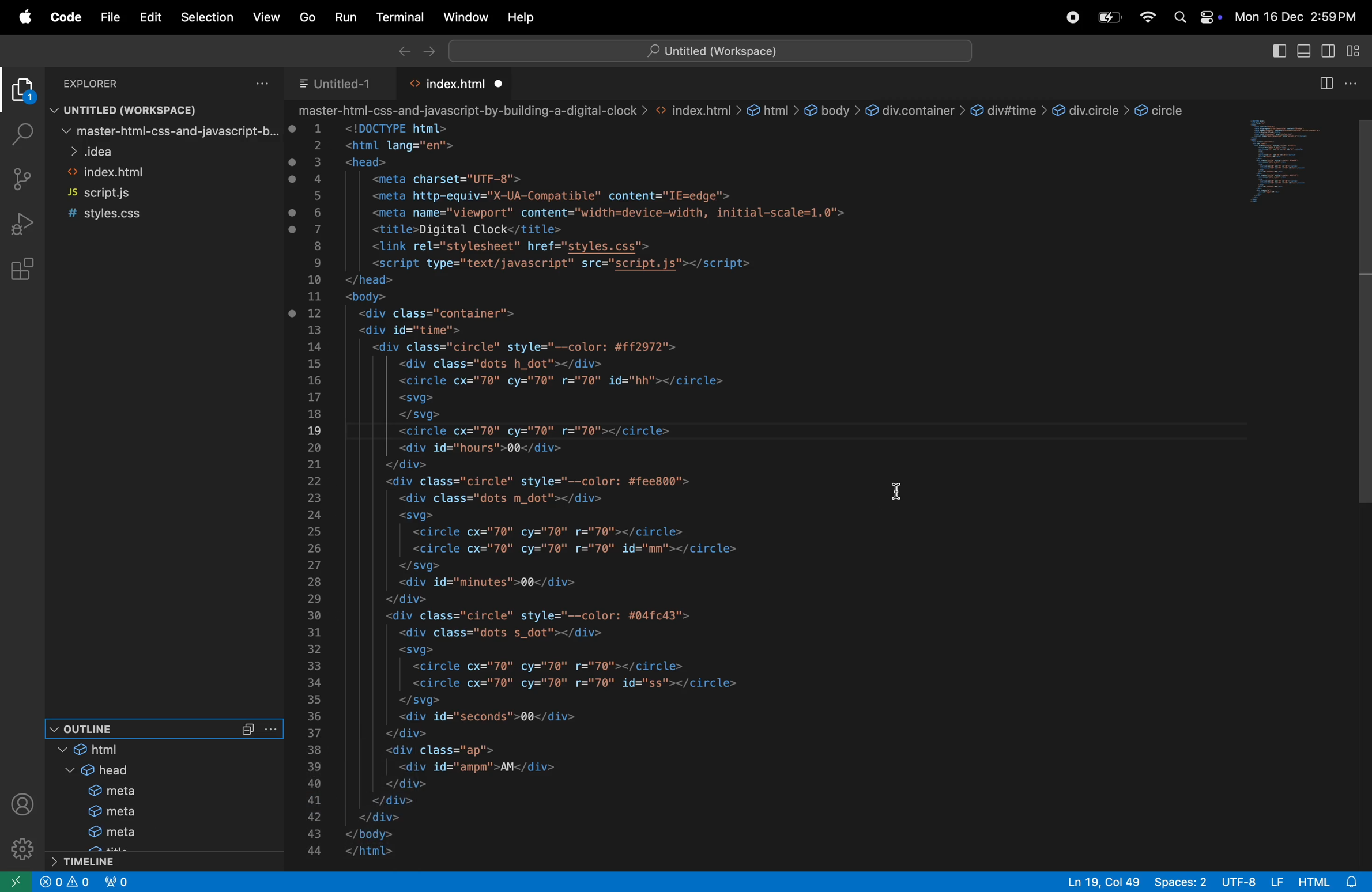 The image size is (1372, 892). What do you see at coordinates (342, 16) in the screenshot?
I see `run` at bounding box center [342, 16].